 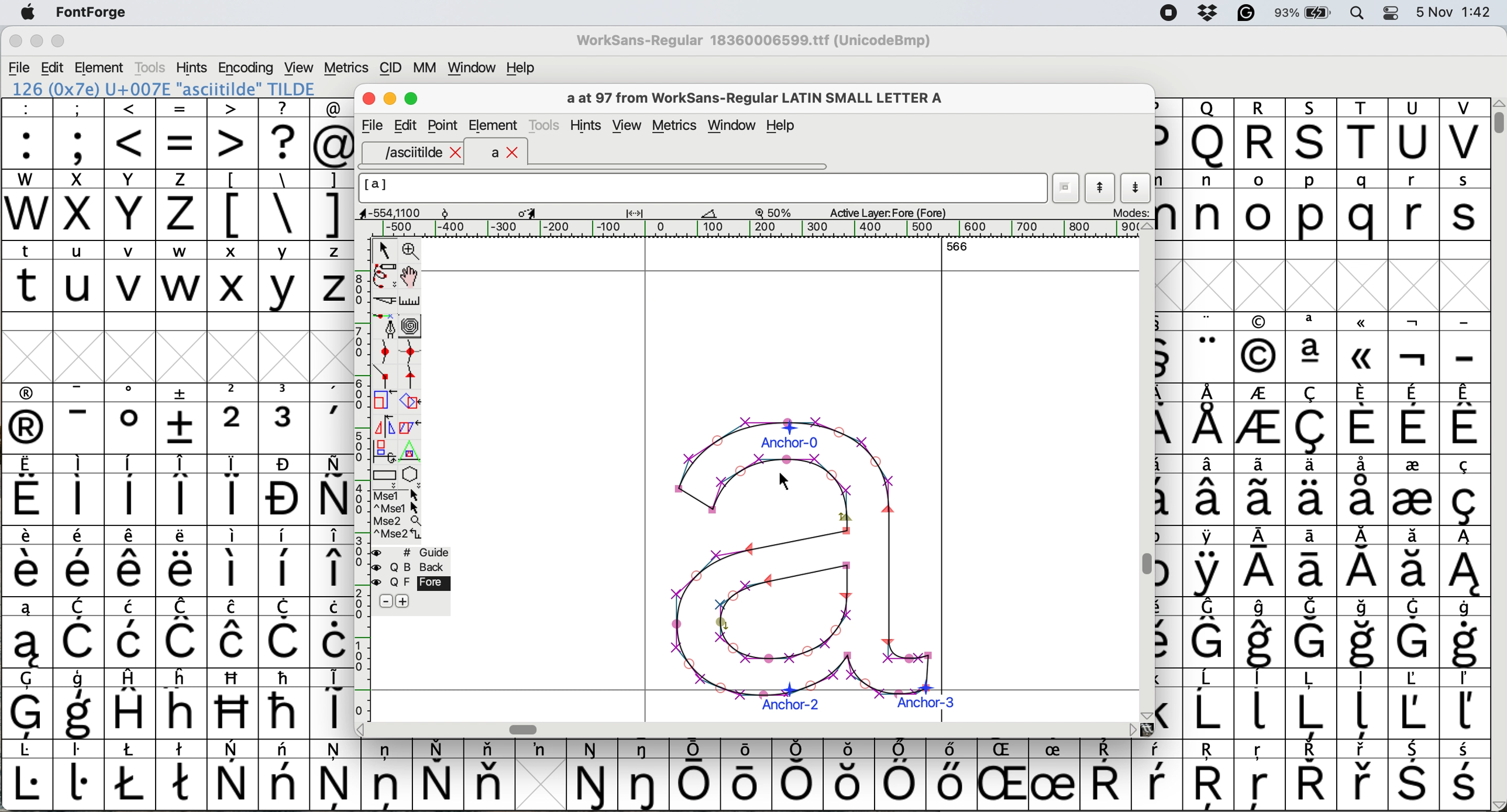 I want to click on WorkSans-Regular 18360006599.ttf (UnicodeBmp), so click(x=754, y=43).